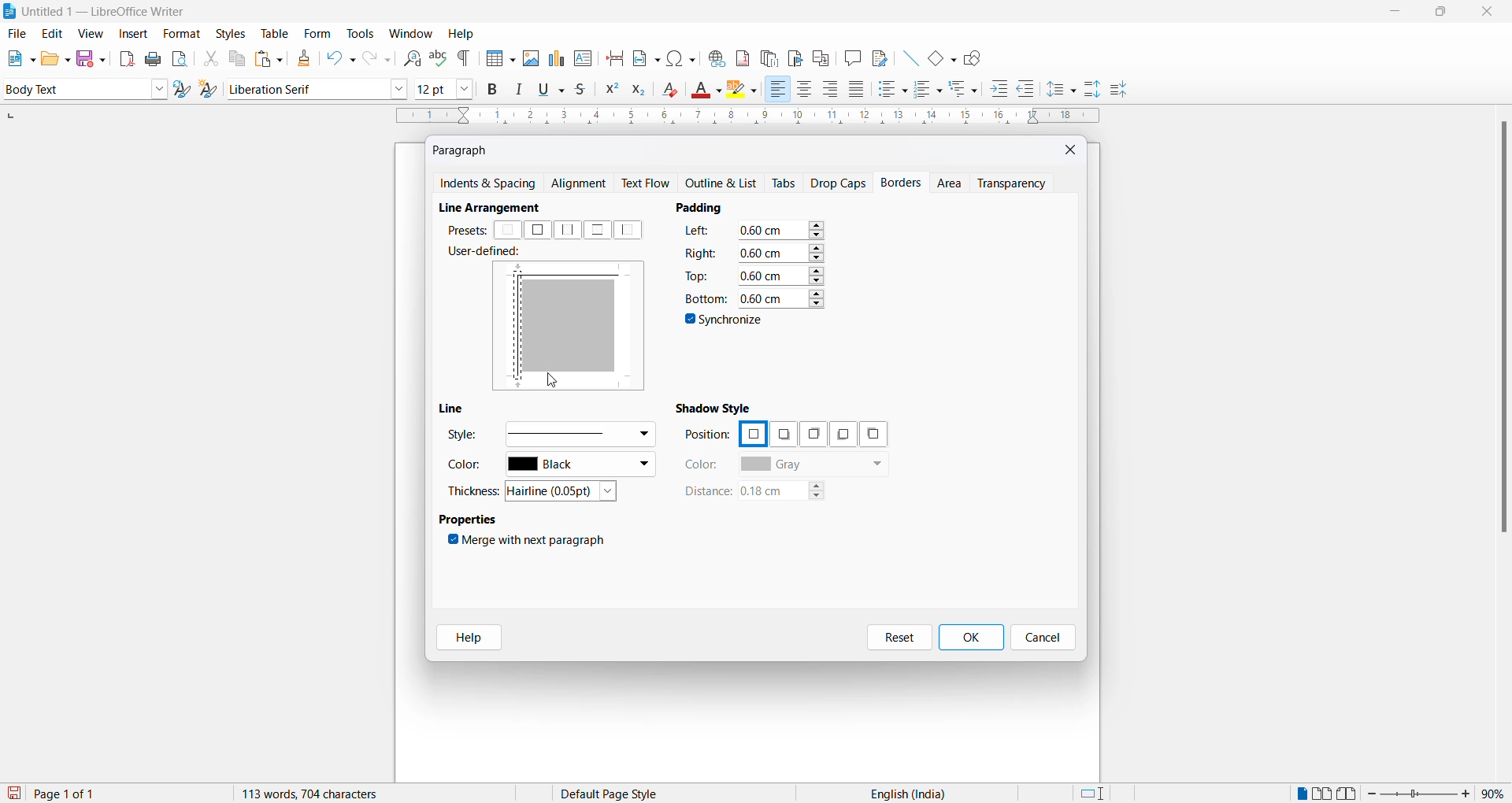 The width and height of the screenshot is (1512, 803). Describe the element at coordinates (555, 384) in the screenshot. I see `cursor` at that location.